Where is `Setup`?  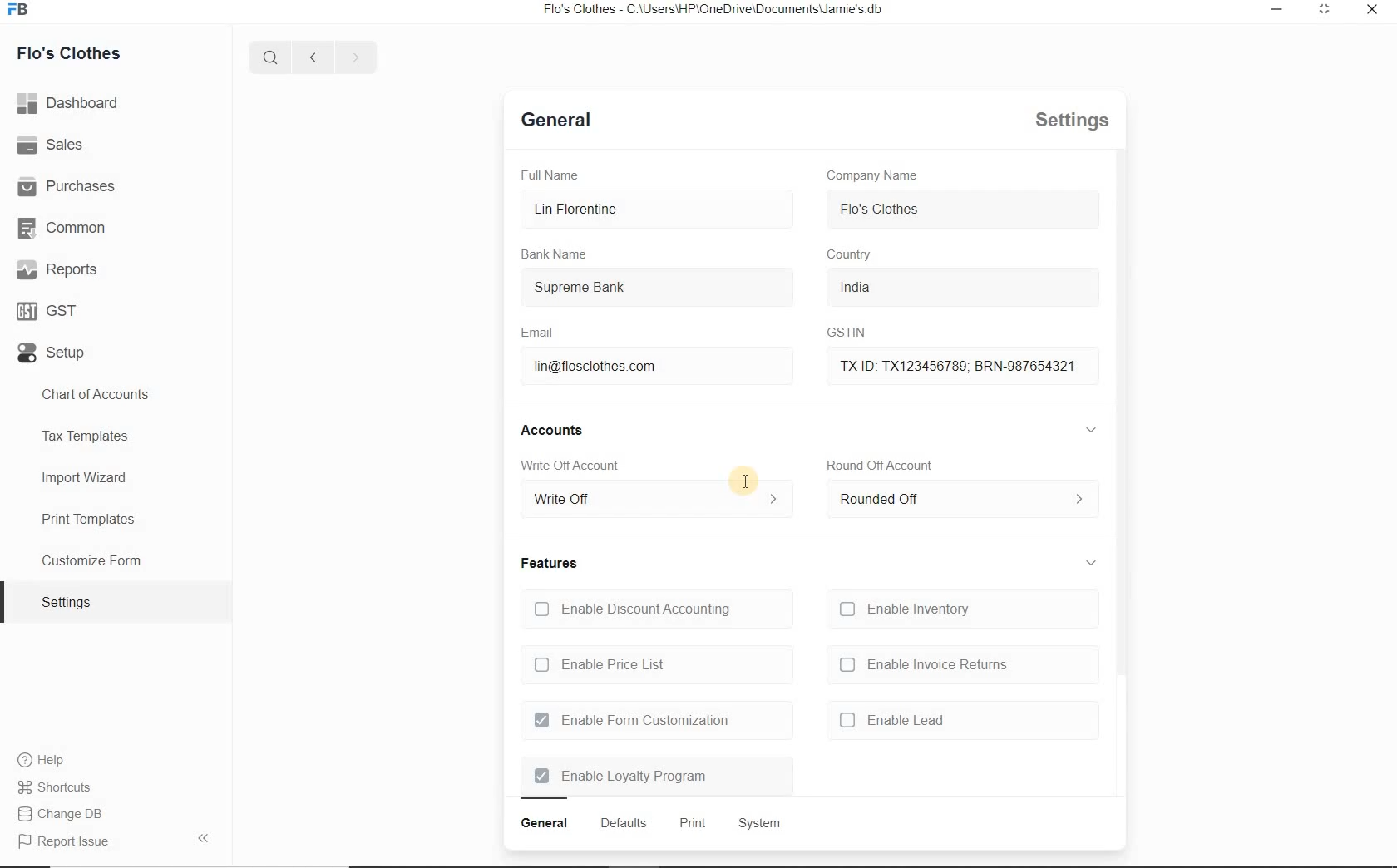 Setup is located at coordinates (50, 357).